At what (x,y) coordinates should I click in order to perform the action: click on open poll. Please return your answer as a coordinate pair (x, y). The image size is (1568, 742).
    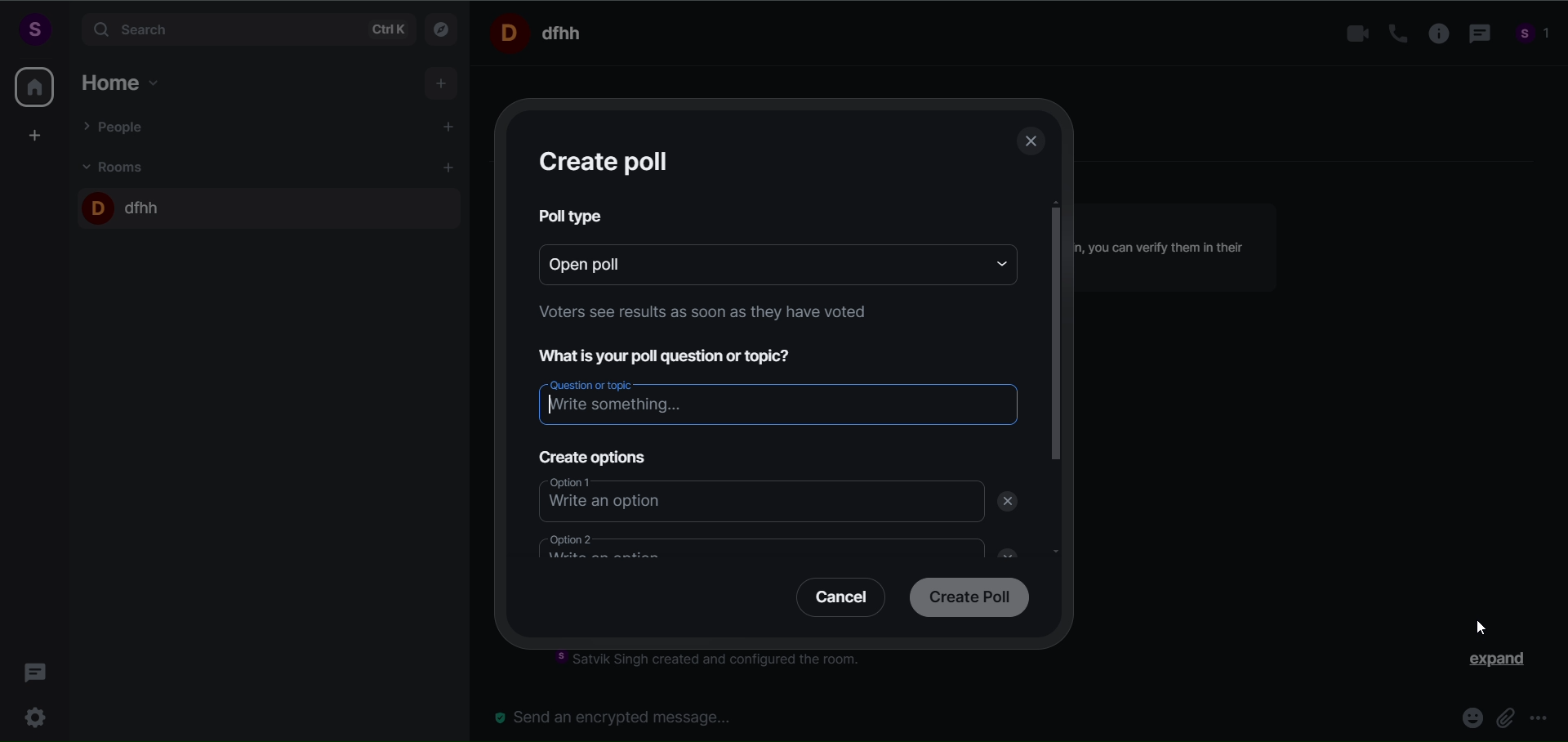
    Looking at the image, I should click on (751, 262).